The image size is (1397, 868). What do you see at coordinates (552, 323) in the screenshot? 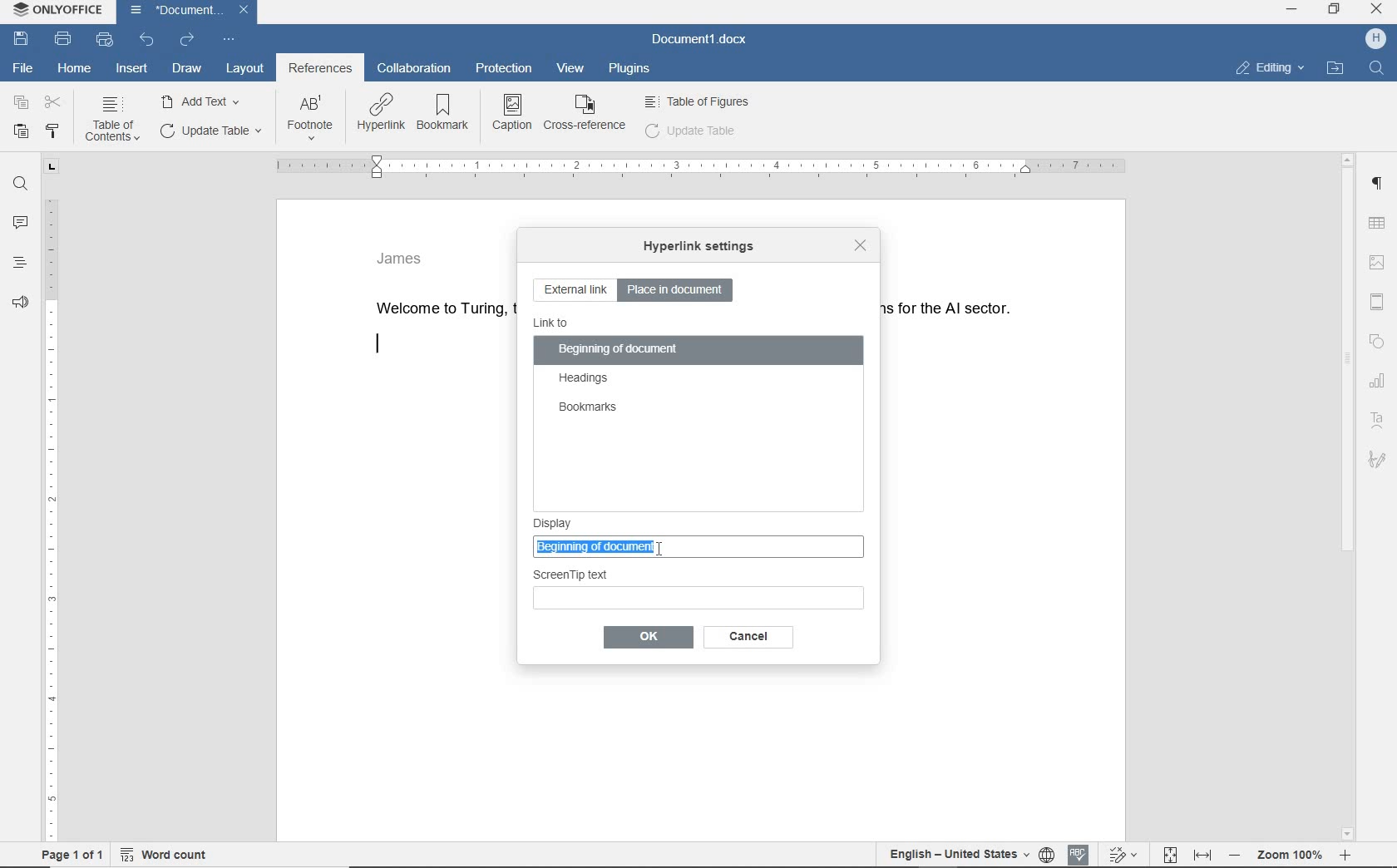
I see `link to` at bounding box center [552, 323].